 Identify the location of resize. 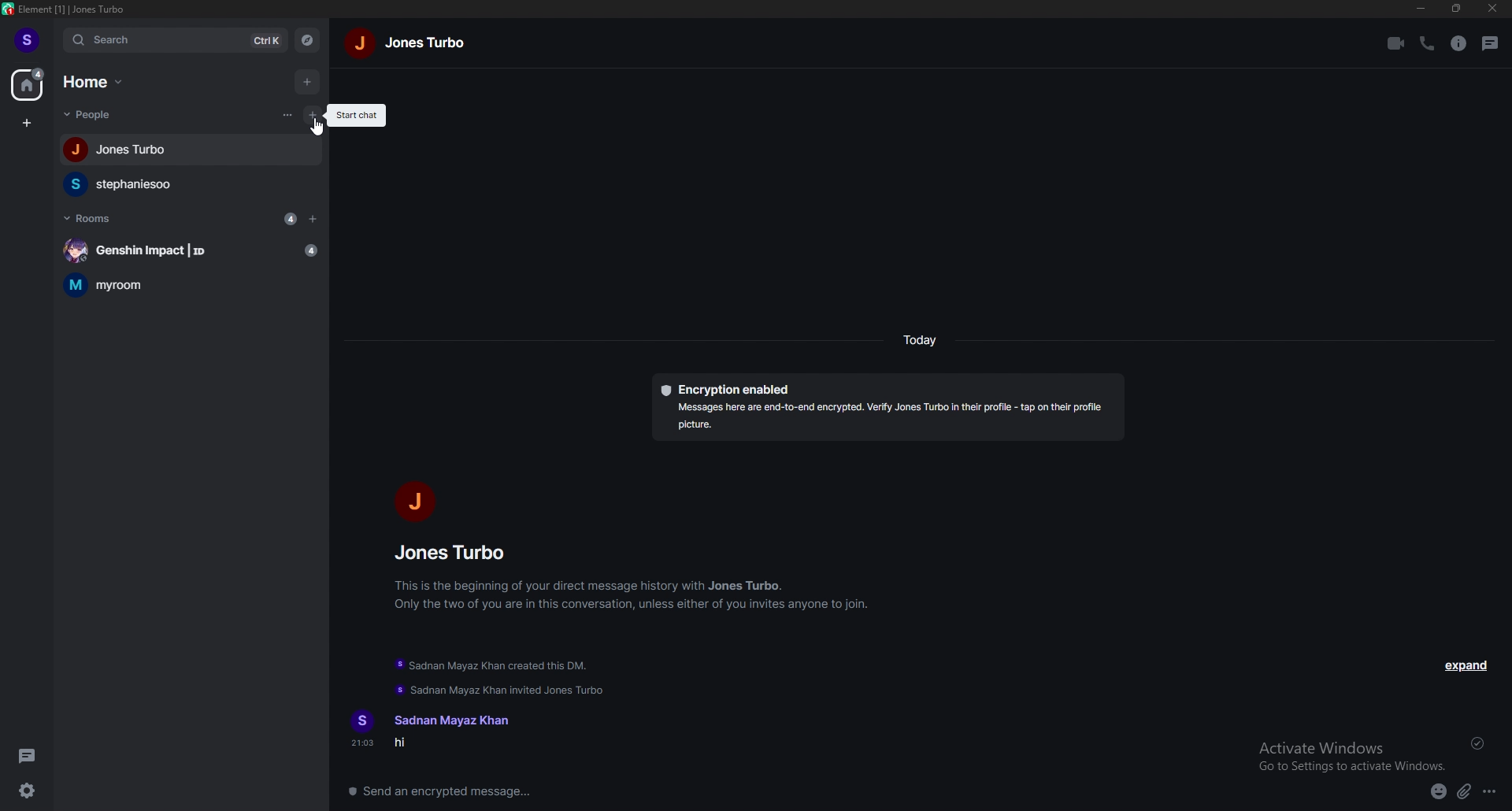
(1455, 8).